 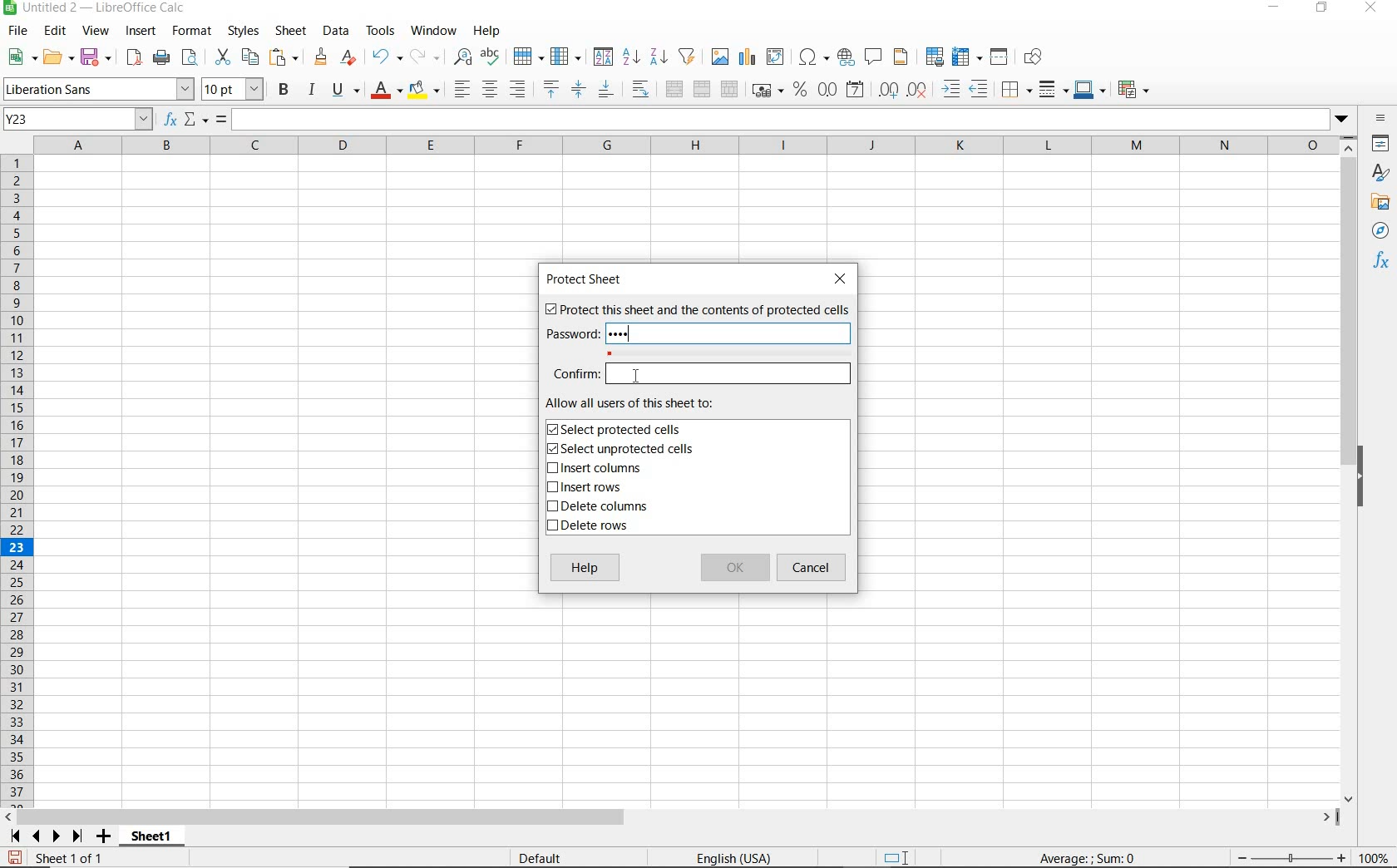 I want to click on SPLIT WINDOW, so click(x=1001, y=56).